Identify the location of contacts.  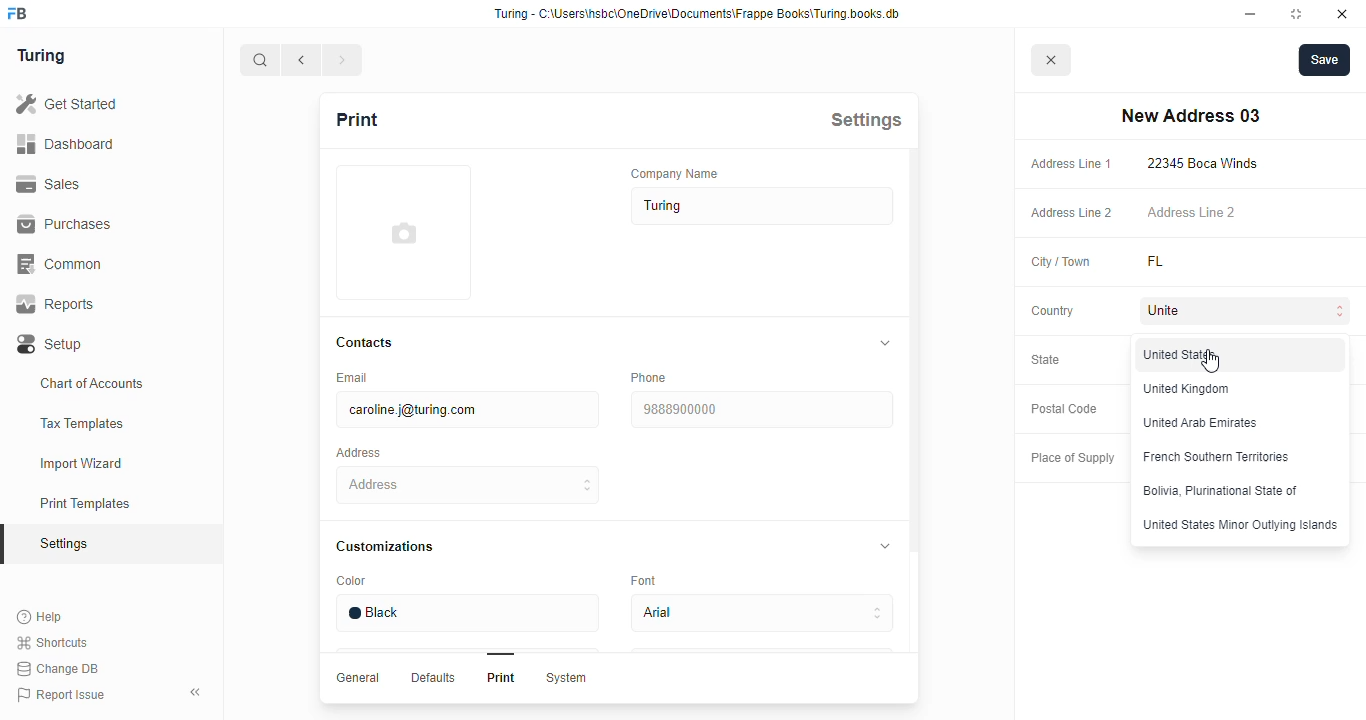
(366, 343).